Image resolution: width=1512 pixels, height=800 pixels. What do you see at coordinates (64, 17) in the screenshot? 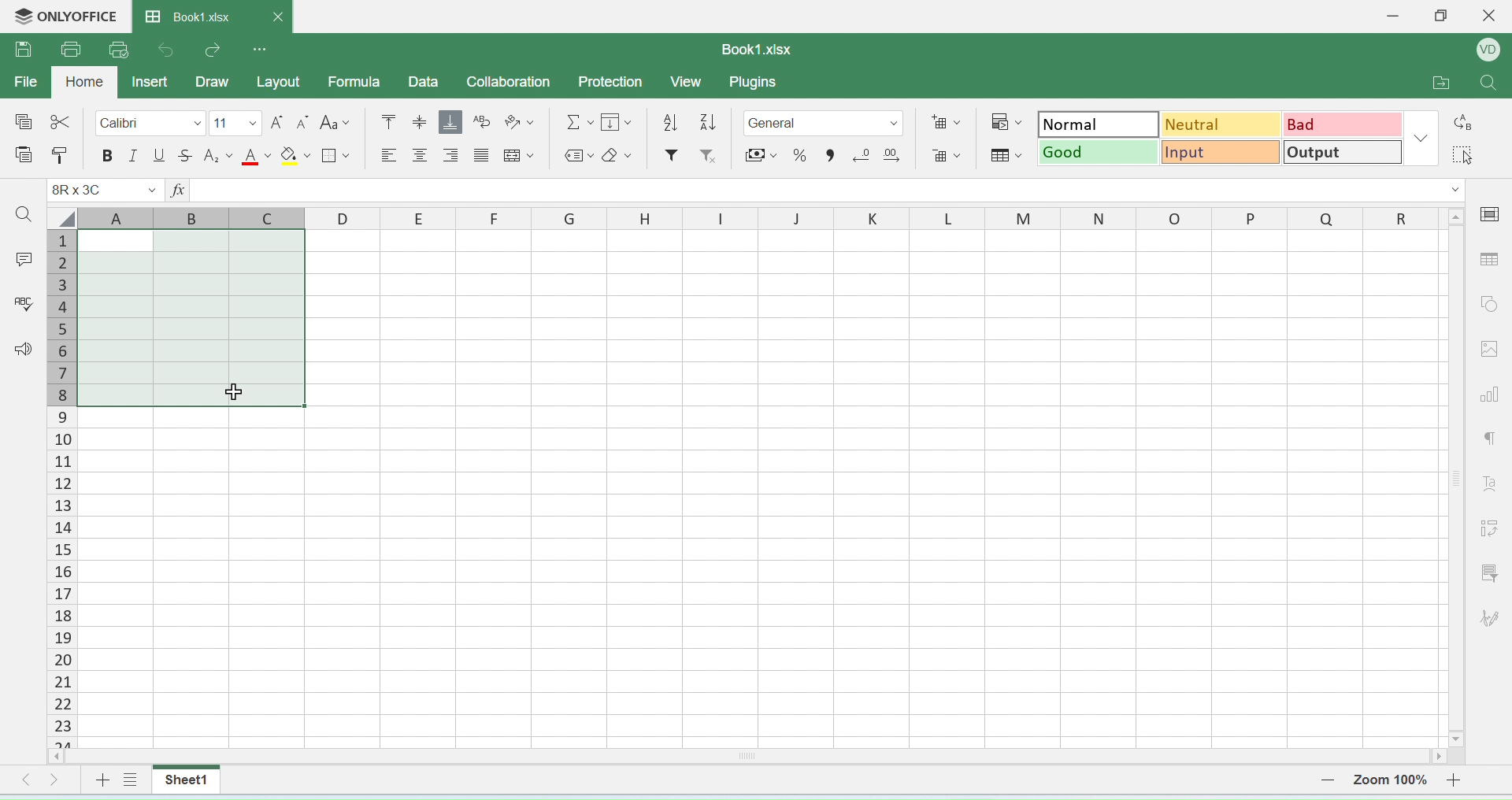
I see `onlyoffice logo` at bounding box center [64, 17].